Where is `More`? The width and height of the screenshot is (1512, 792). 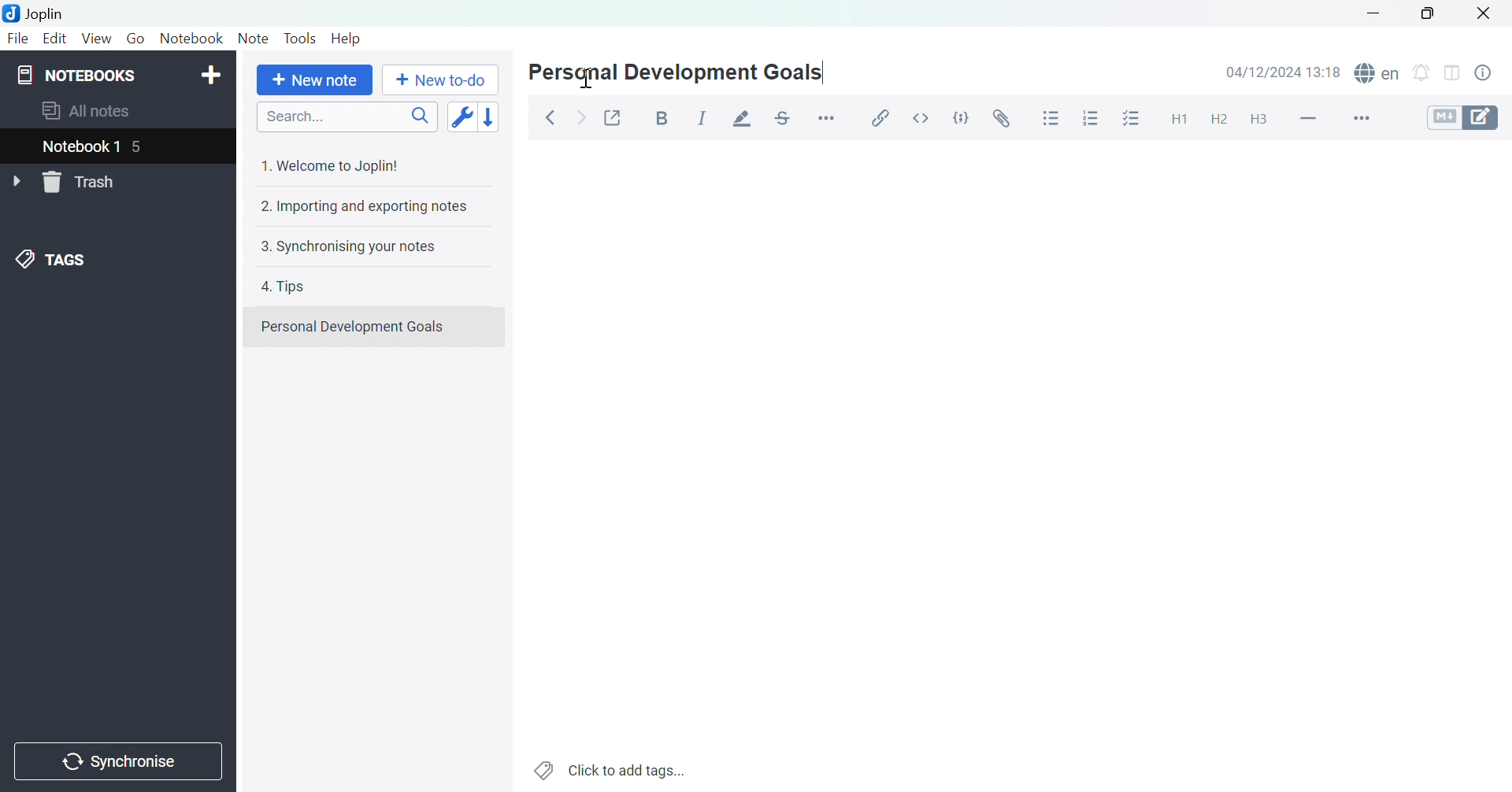
More is located at coordinates (1367, 118).